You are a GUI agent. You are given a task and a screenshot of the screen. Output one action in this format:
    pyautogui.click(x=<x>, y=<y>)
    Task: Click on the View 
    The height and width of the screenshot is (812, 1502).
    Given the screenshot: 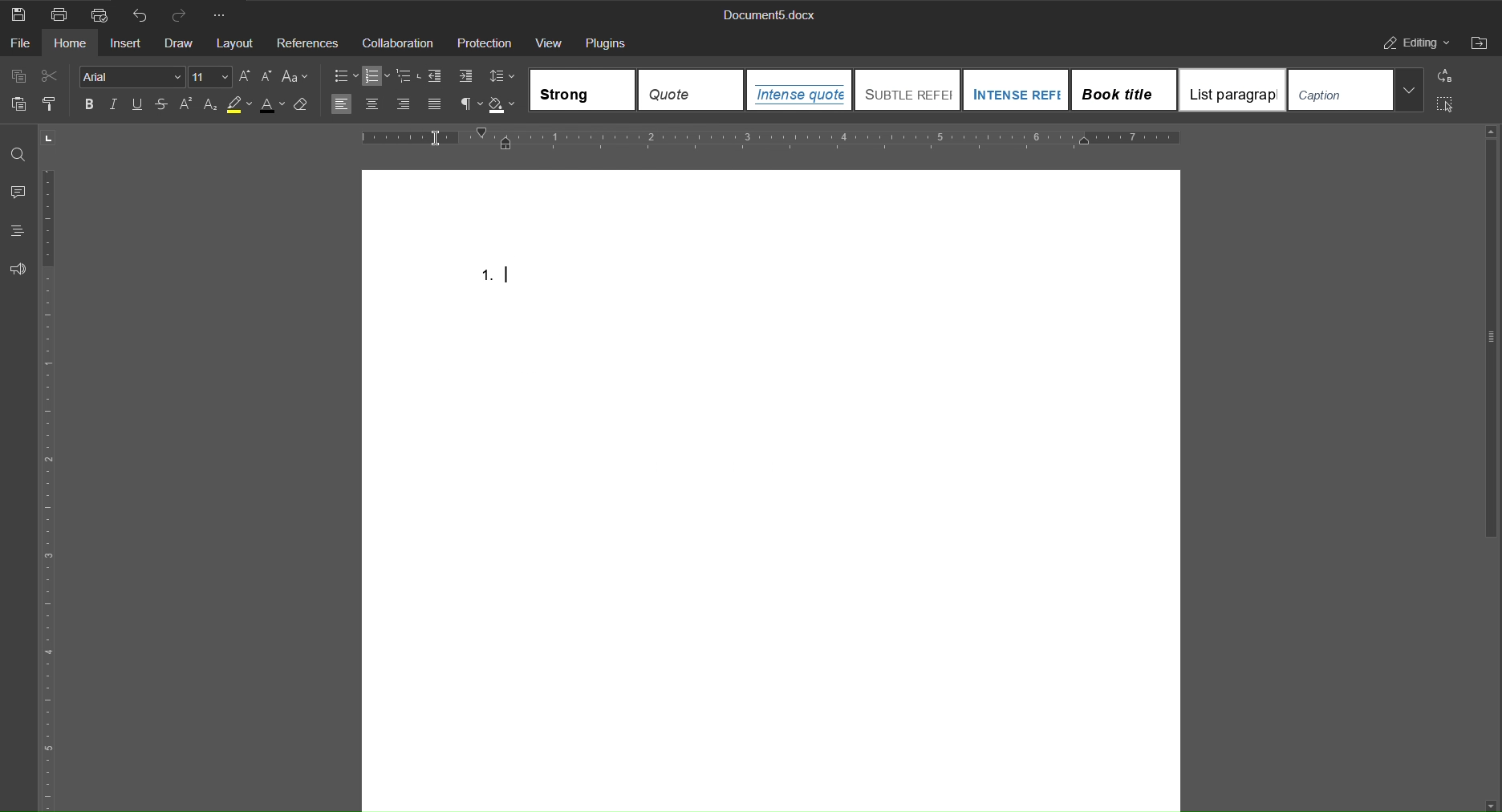 What is the action you would take?
    pyautogui.click(x=551, y=45)
    